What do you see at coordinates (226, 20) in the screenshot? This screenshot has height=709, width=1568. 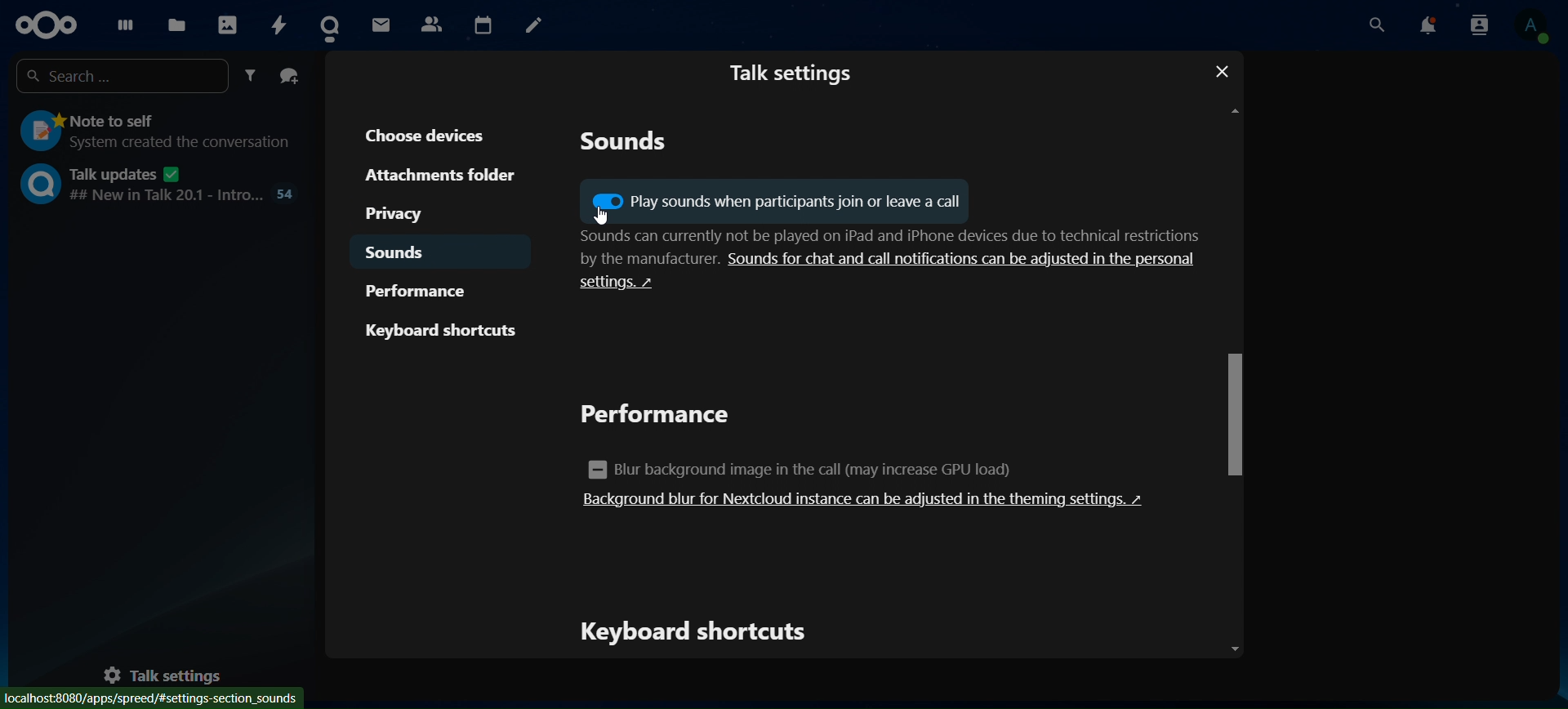 I see `photos` at bounding box center [226, 20].